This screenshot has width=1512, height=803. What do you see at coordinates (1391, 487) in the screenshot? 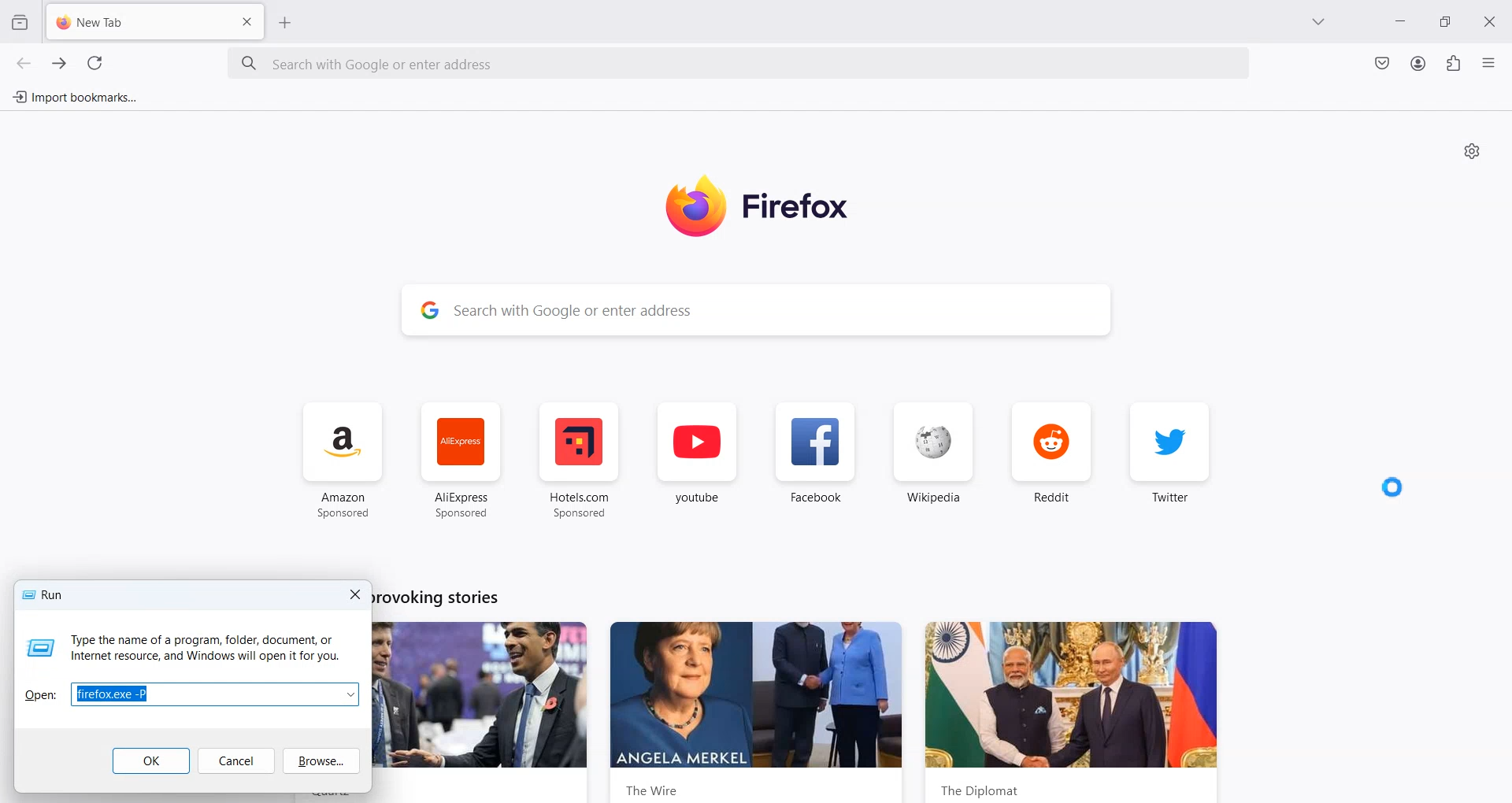
I see `Cursor` at bounding box center [1391, 487].